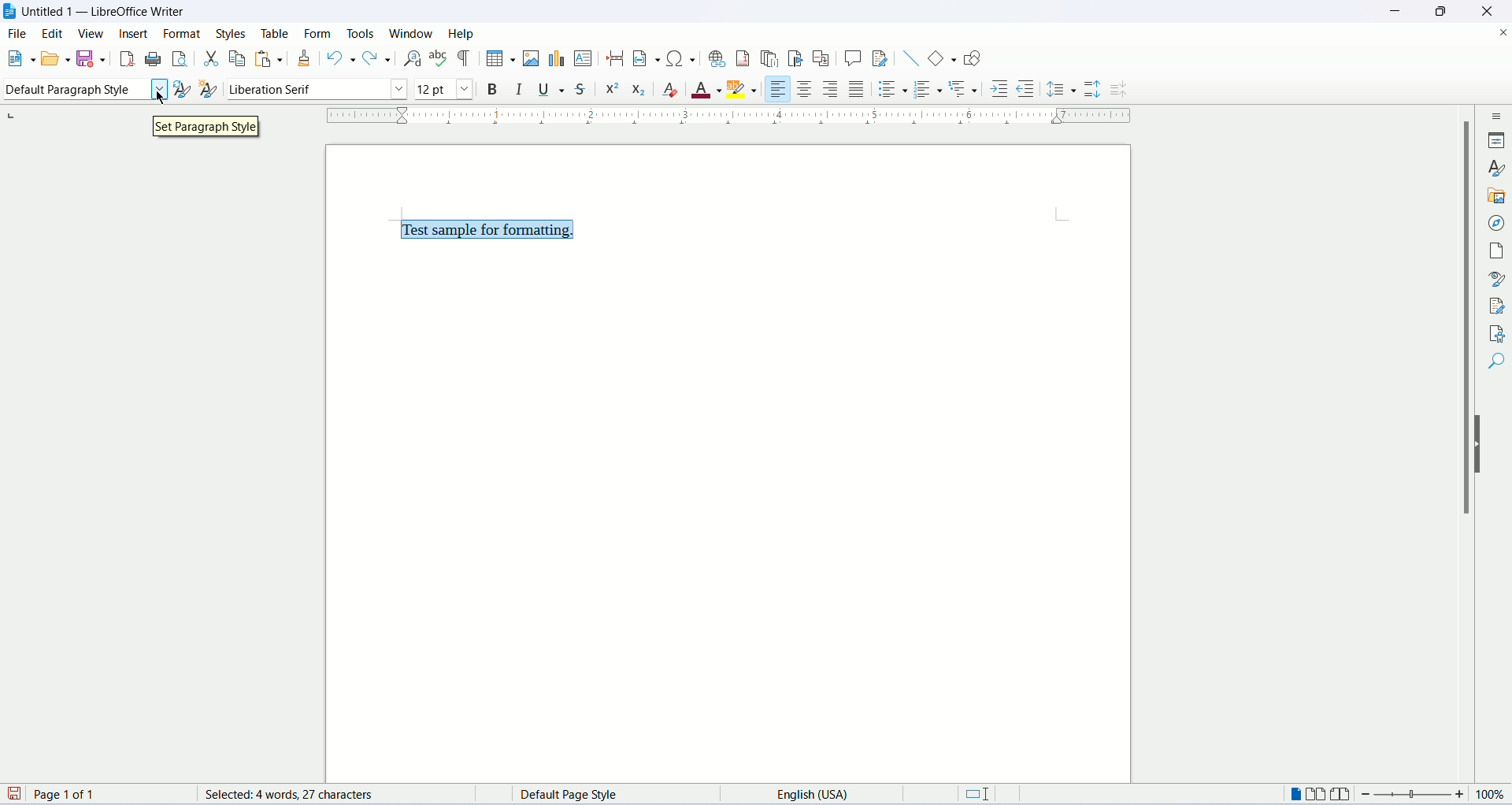  Describe the element at coordinates (83, 92) in the screenshot. I see `paragraph style` at that location.